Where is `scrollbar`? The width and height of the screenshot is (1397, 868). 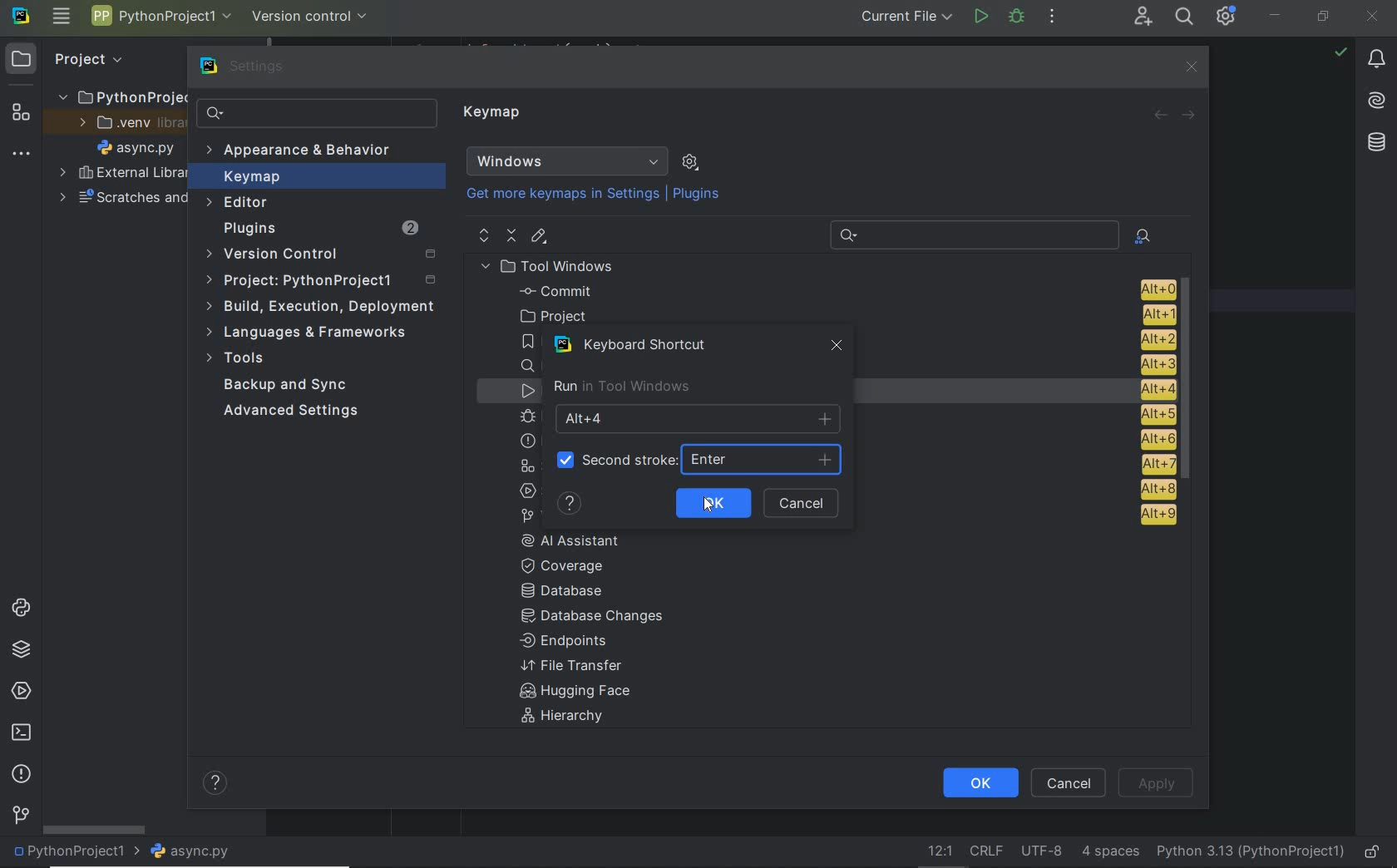
scrollbar is located at coordinates (92, 829).